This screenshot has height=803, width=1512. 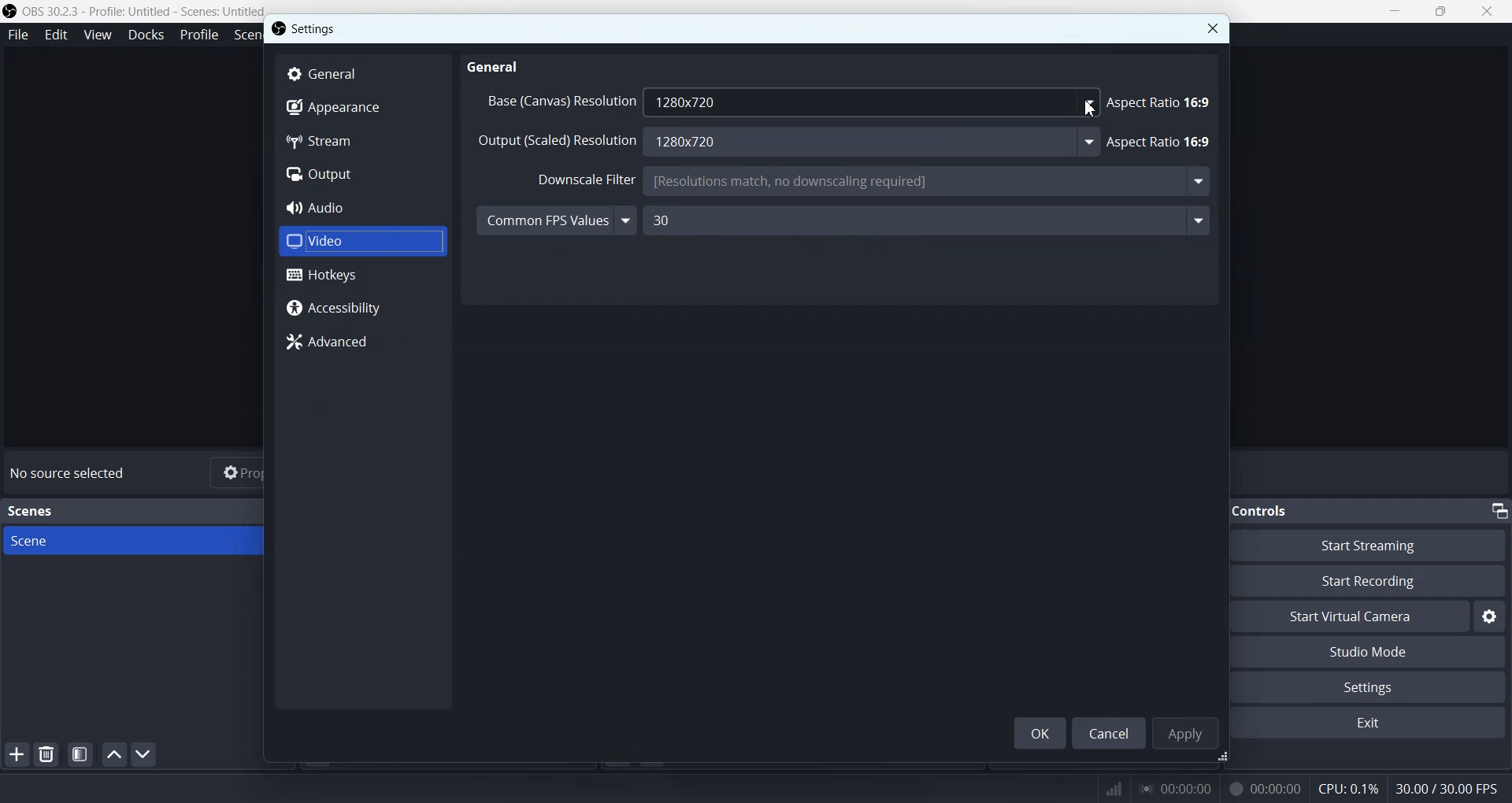 I want to click on General, so click(x=495, y=67).